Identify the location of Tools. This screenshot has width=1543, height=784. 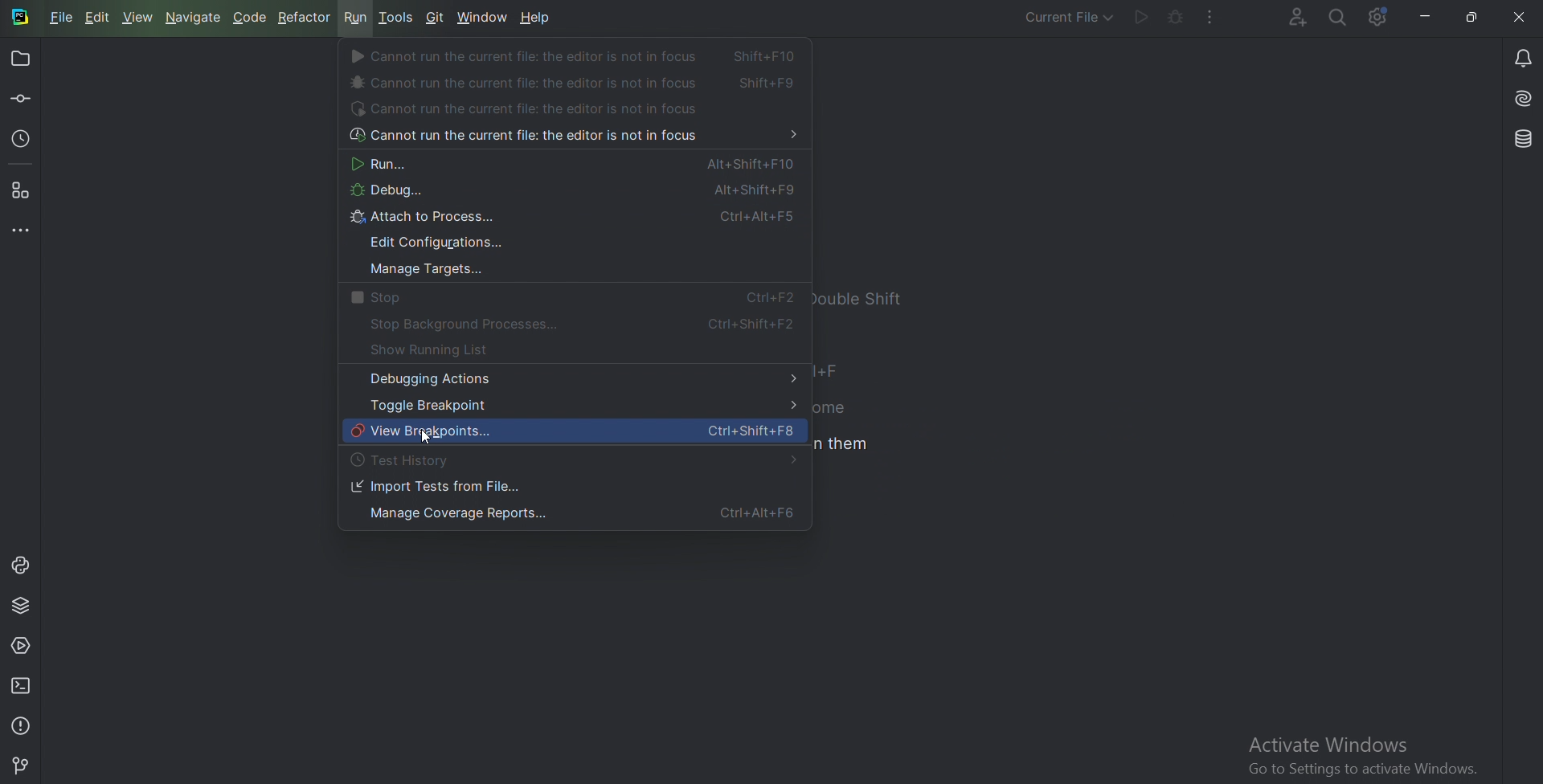
(397, 17).